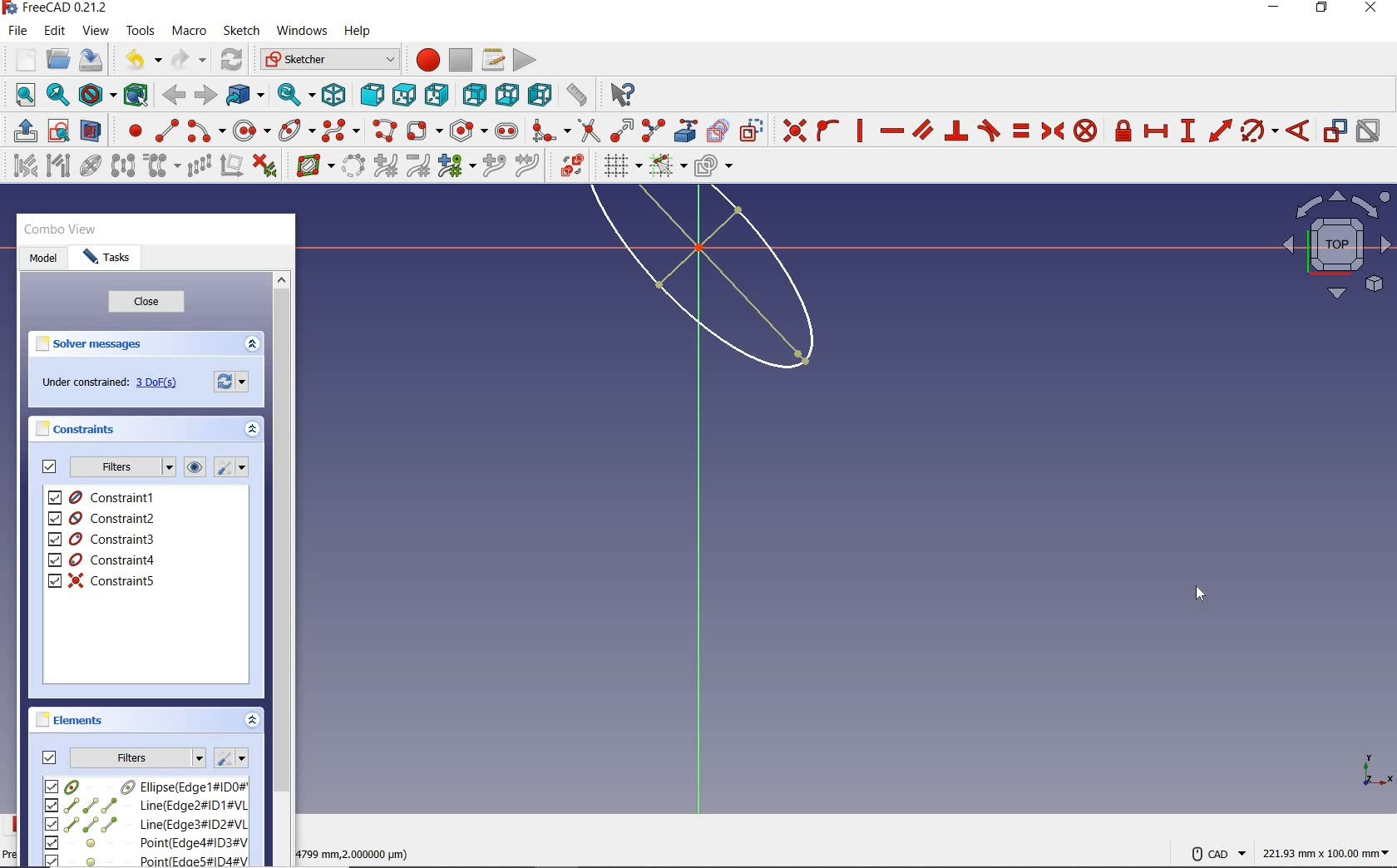 The width and height of the screenshot is (1397, 868). Describe the element at coordinates (60, 129) in the screenshot. I see `view sketch` at that location.